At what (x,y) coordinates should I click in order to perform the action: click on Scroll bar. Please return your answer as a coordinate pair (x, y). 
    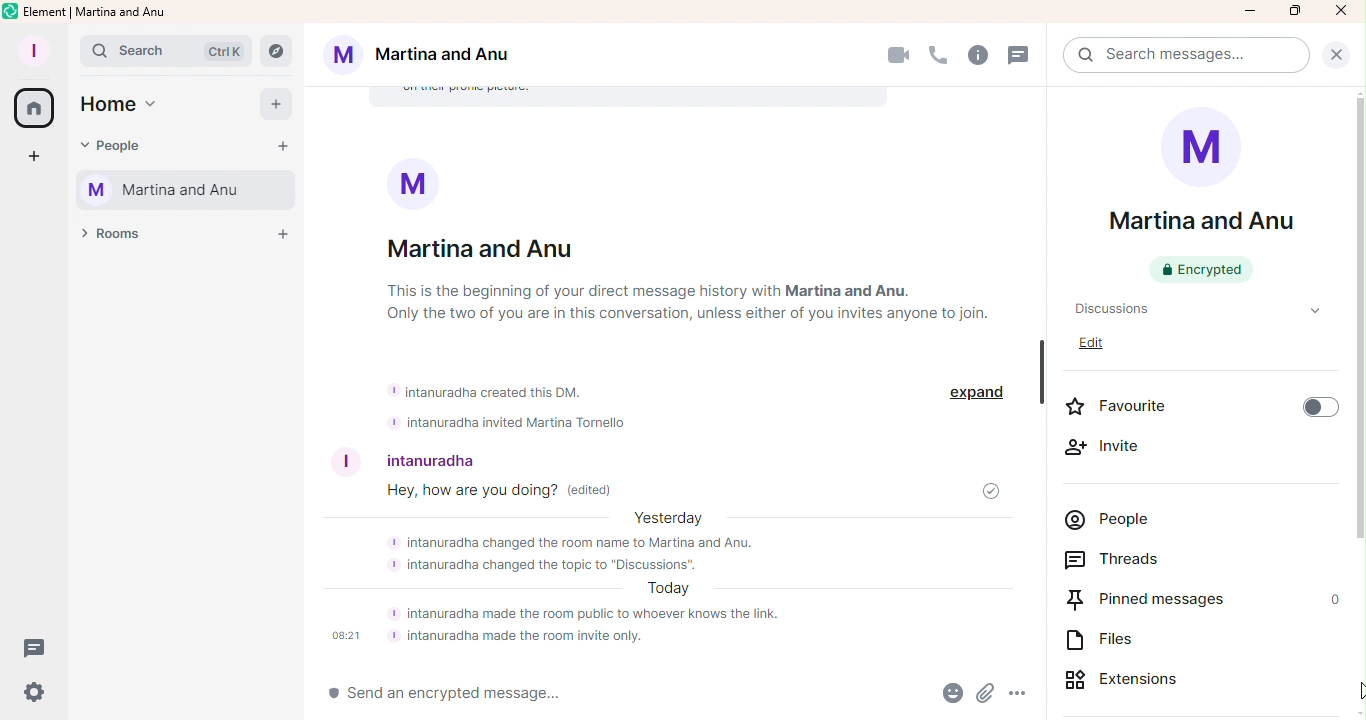
    Looking at the image, I should click on (1358, 407).